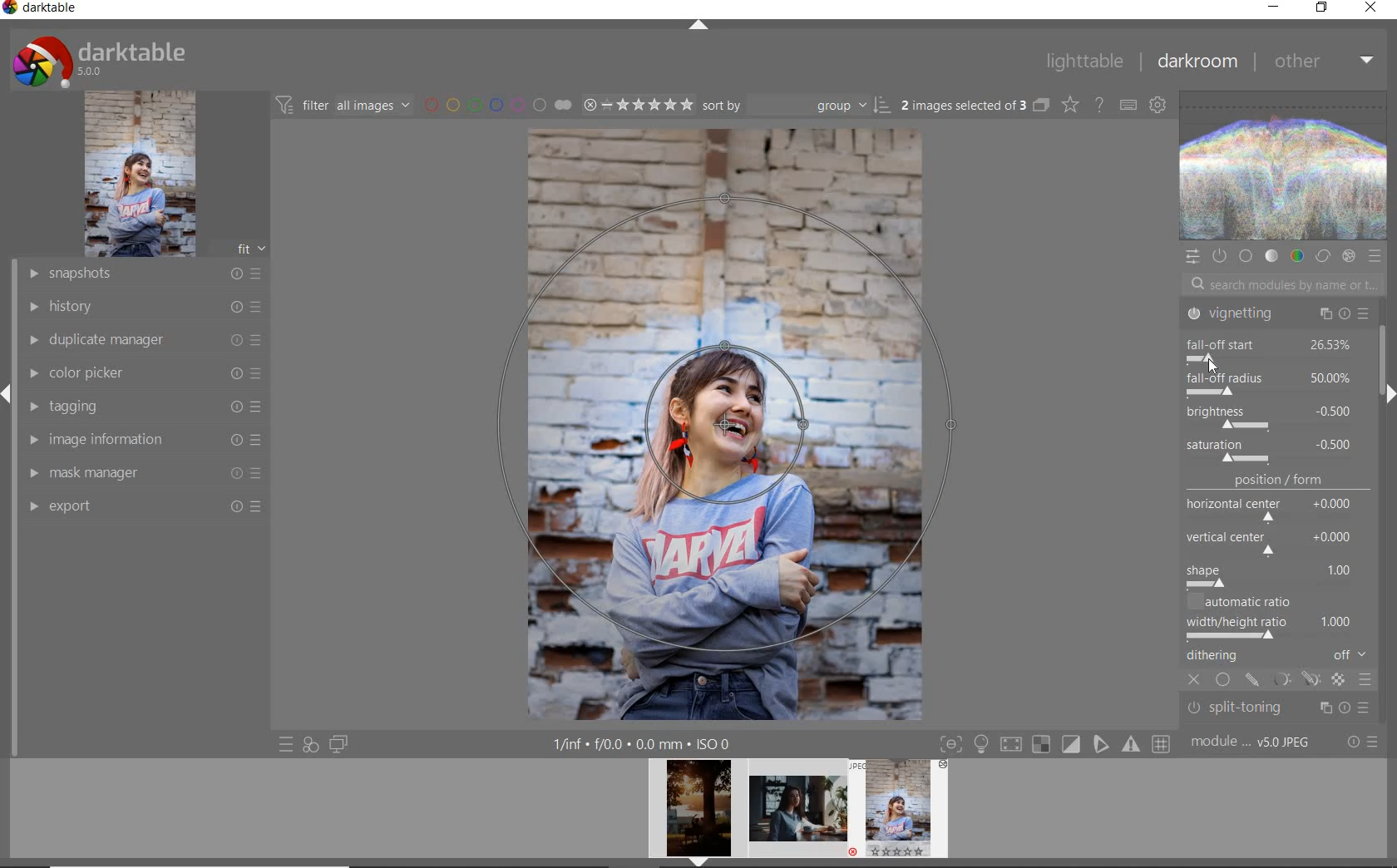  I want to click on SHOW GLOBAL PREFERENCES, so click(1156, 104).